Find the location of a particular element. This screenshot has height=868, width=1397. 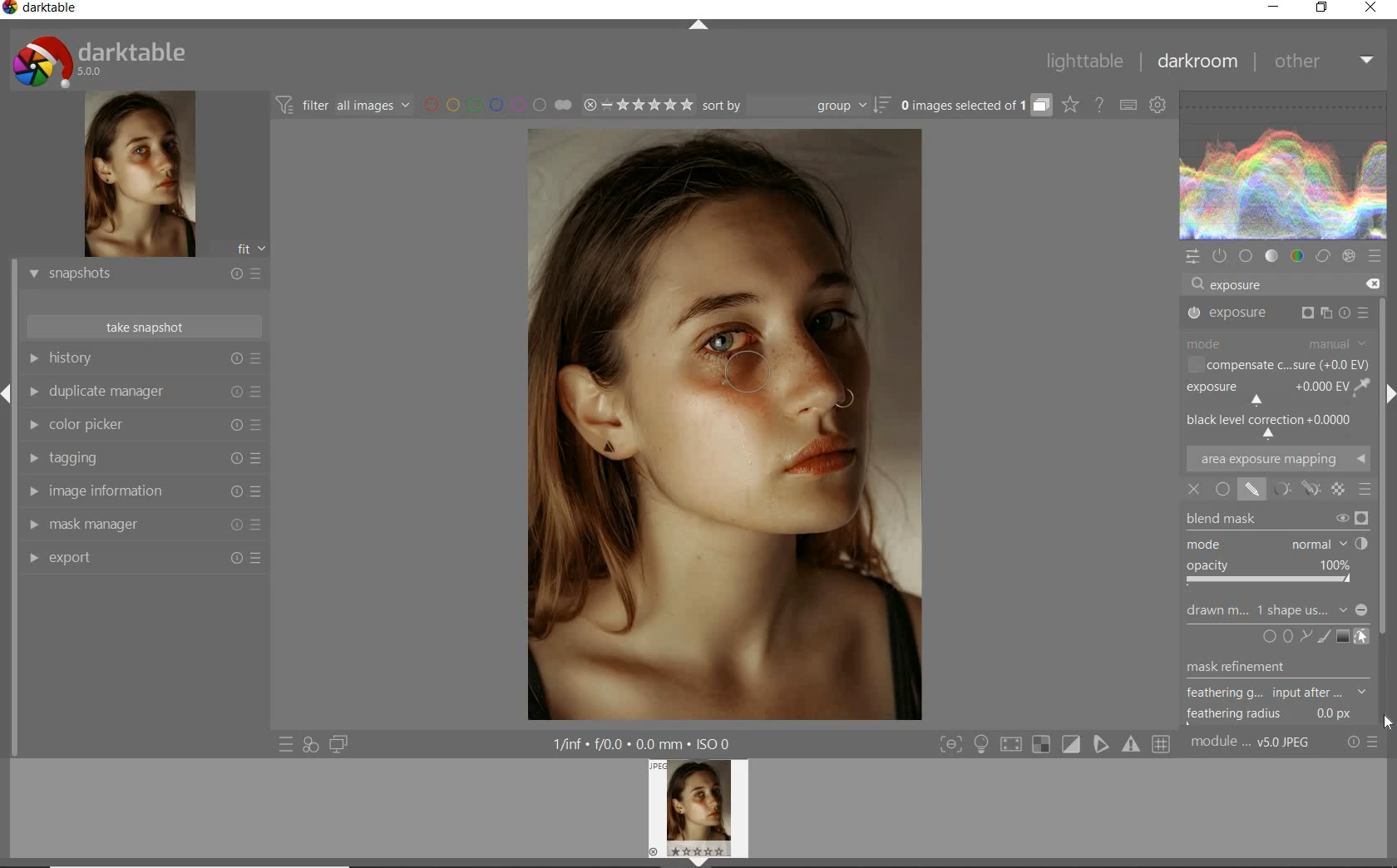

mask manager is located at coordinates (147, 525).